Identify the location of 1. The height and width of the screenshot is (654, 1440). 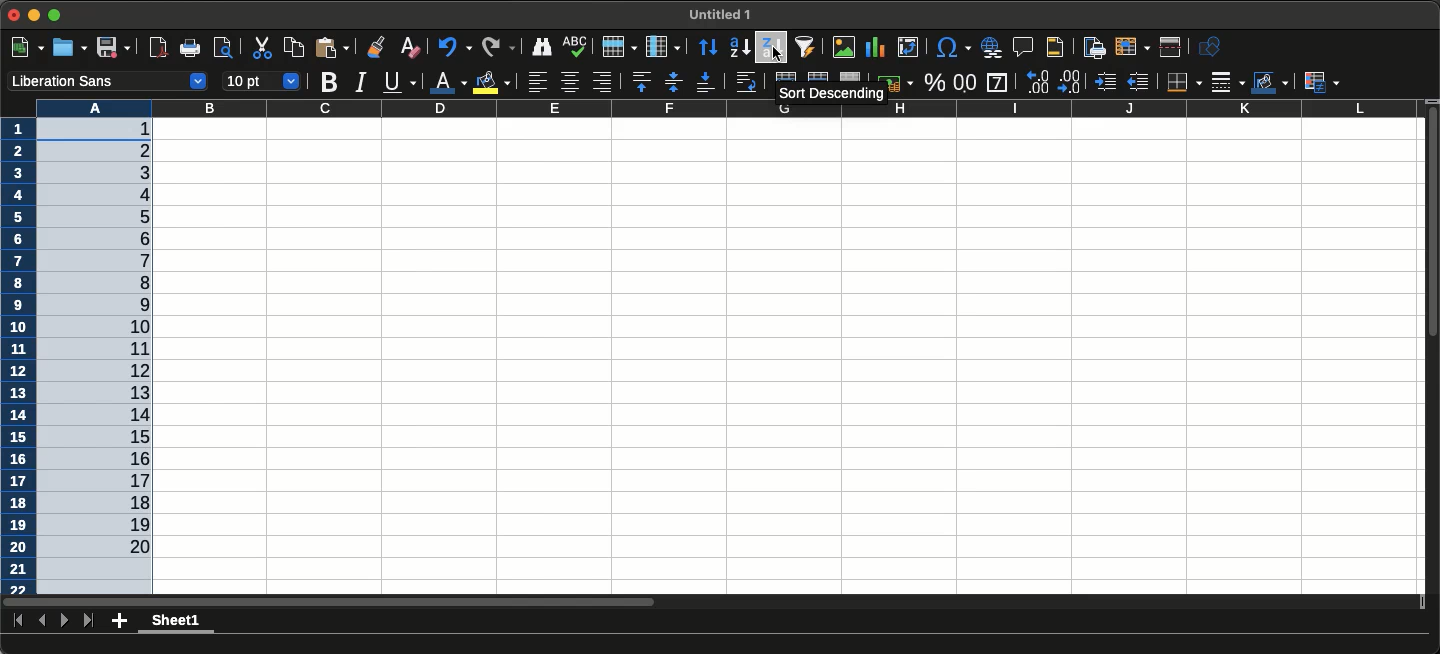
(132, 130).